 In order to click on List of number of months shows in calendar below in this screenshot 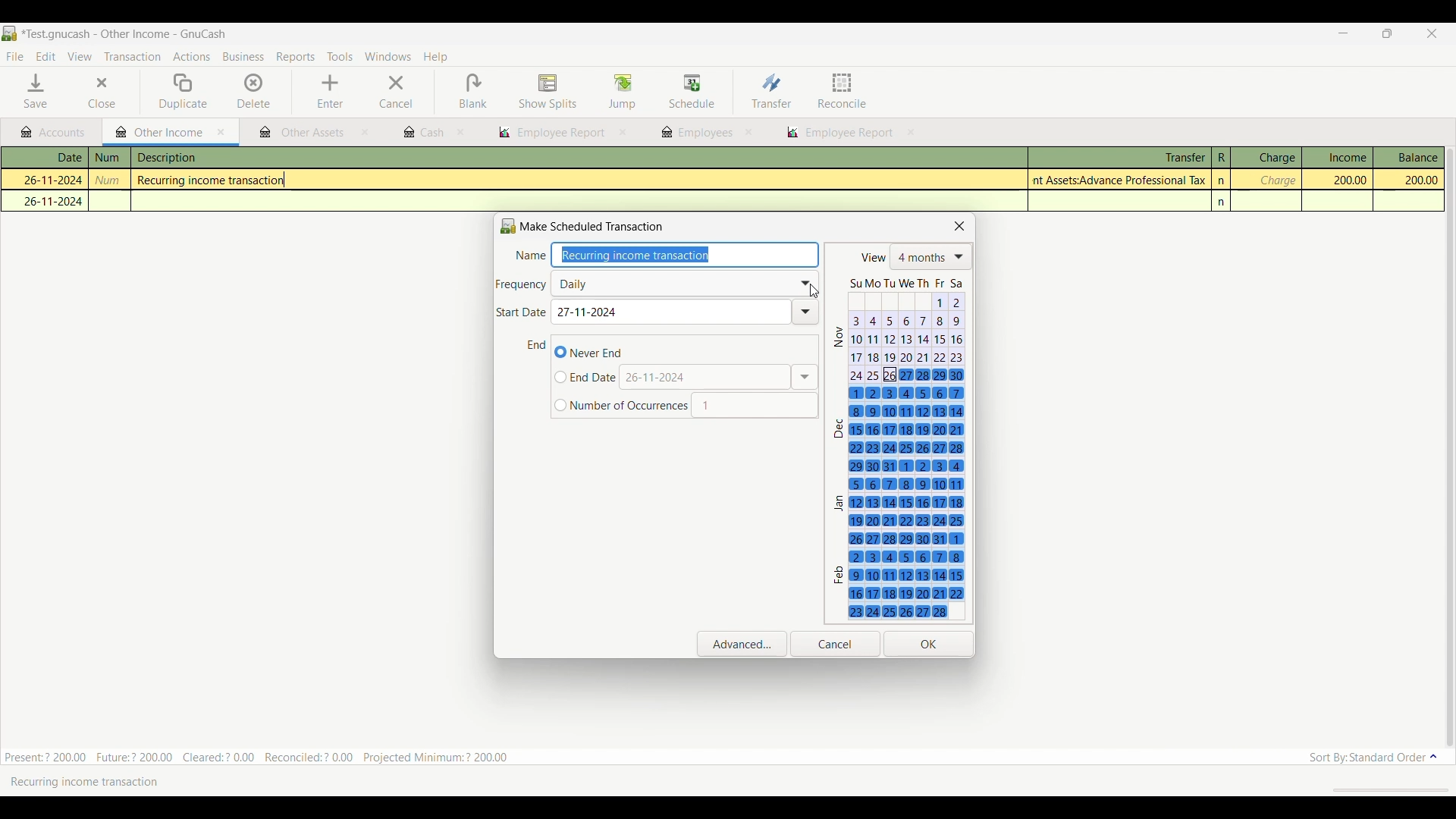, I will do `click(931, 257)`.